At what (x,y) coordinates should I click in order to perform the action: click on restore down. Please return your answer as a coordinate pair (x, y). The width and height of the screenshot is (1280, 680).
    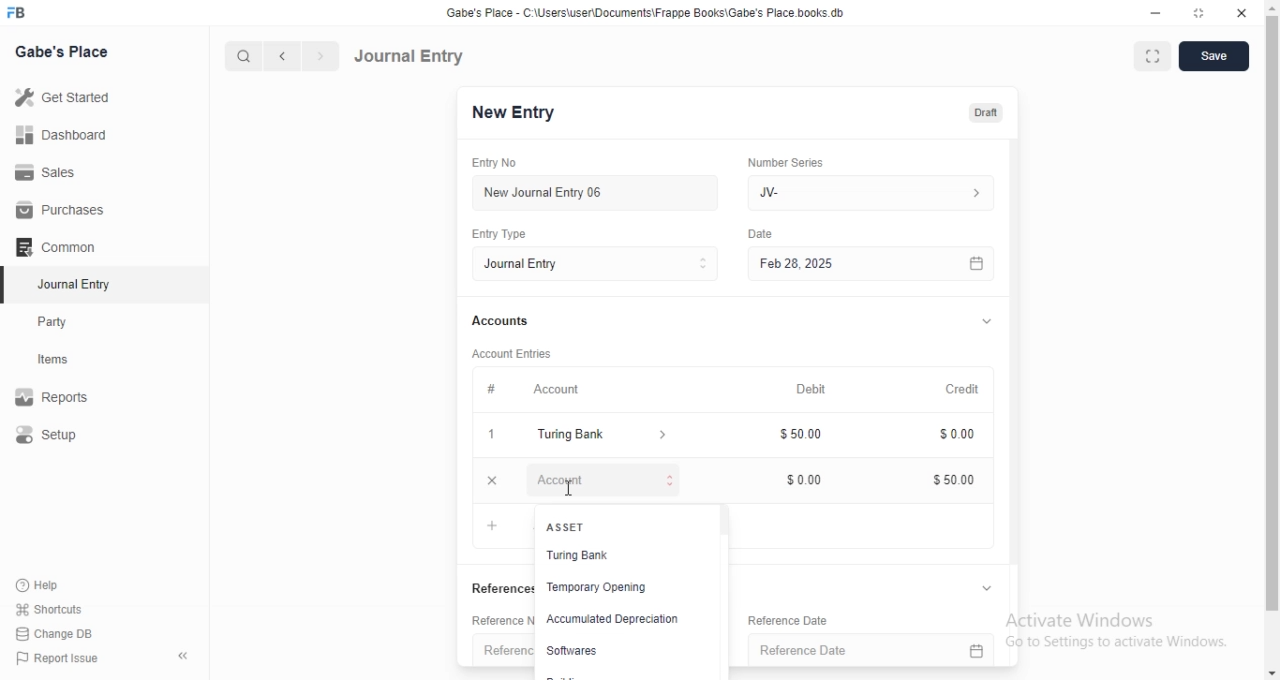
    Looking at the image, I should click on (1201, 14).